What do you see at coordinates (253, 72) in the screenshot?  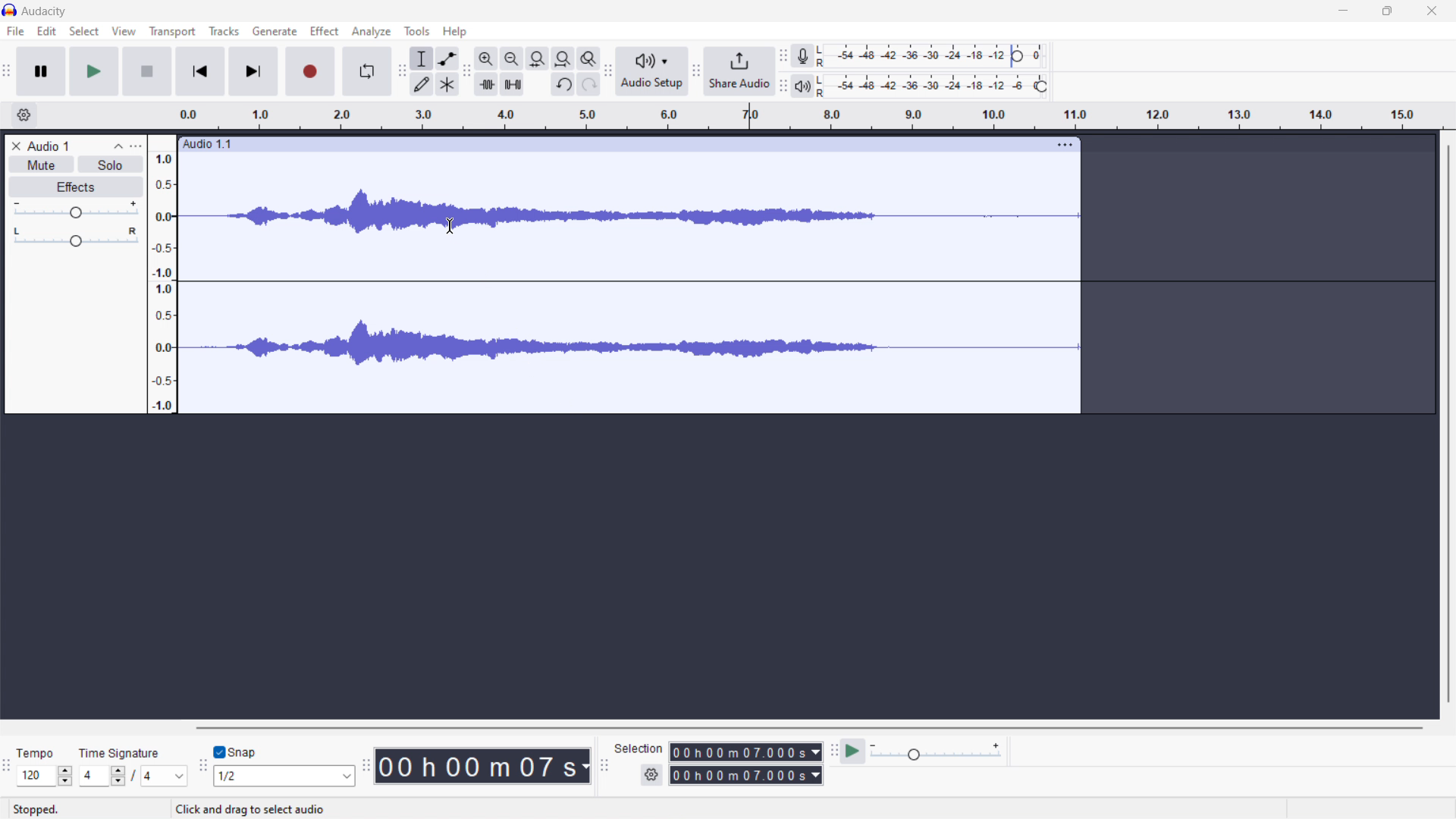 I see `skip to end` at bounding box center [253, 72].